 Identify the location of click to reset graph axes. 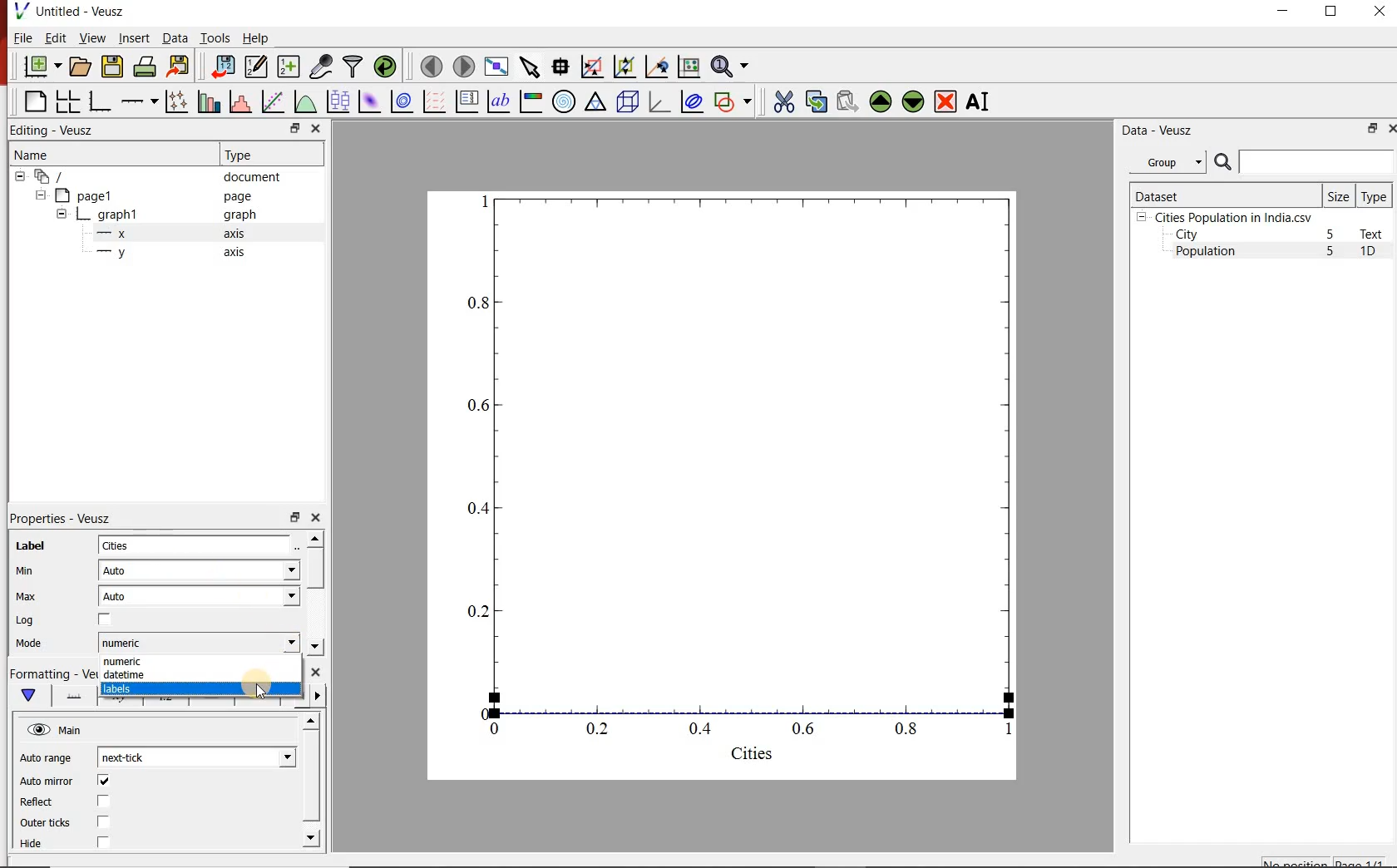
(689, 66).